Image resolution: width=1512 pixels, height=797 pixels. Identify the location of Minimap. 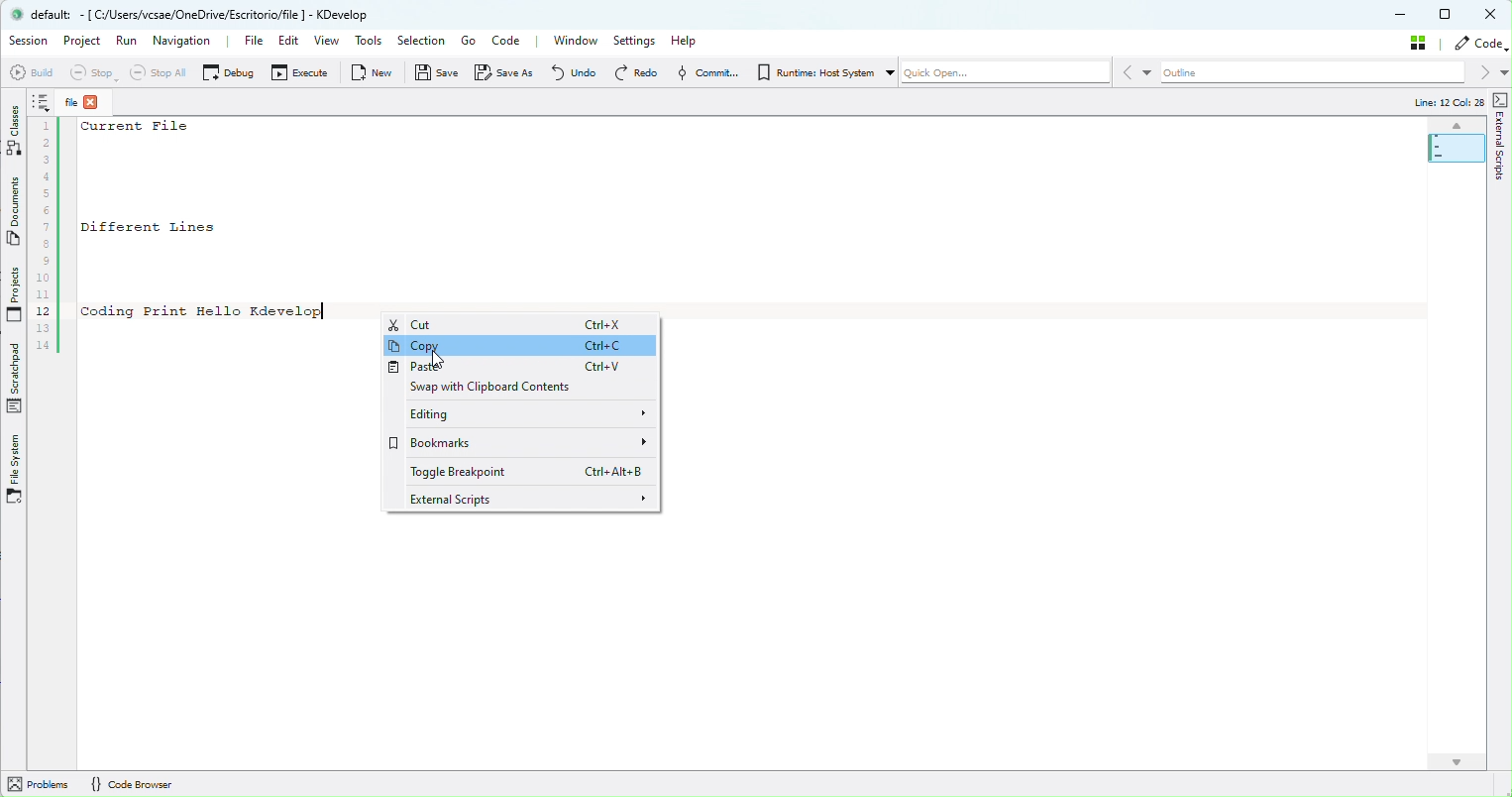
(1456, 142).